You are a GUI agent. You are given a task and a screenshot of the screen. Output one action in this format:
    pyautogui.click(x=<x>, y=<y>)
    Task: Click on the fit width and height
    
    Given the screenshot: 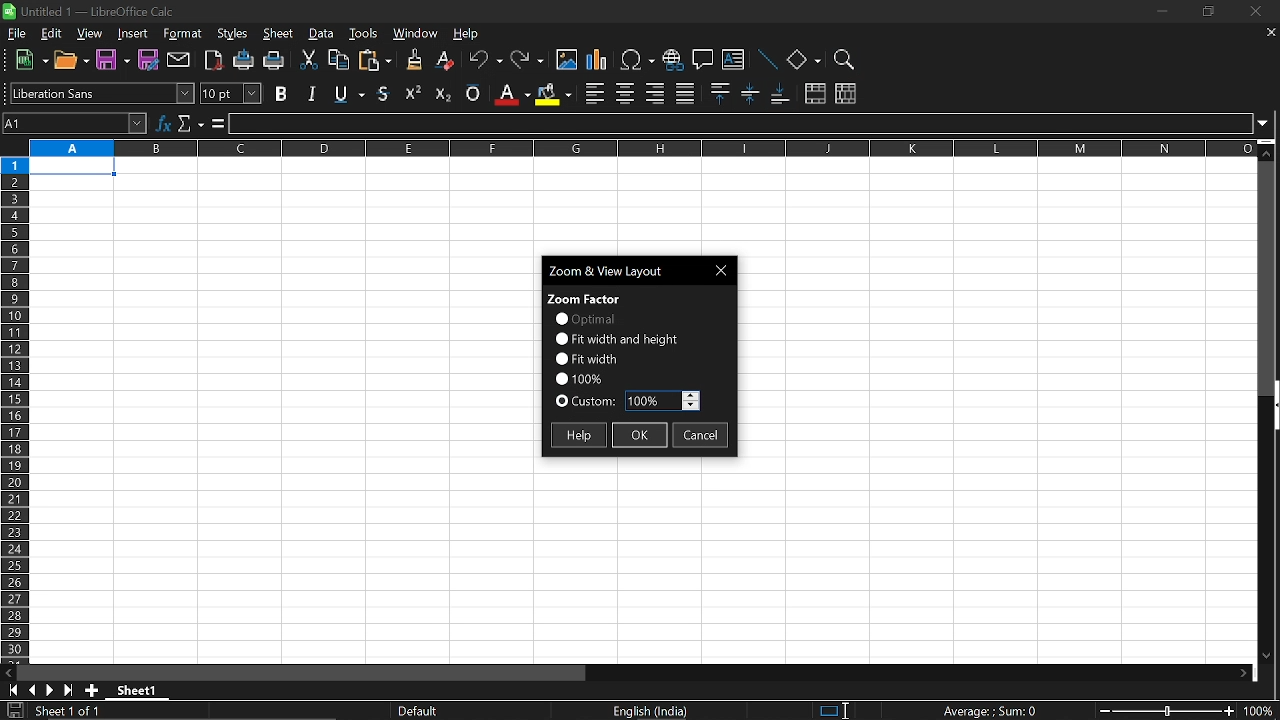 What is the action you would take?
    pyautogui.click(x=619, y=338)
    